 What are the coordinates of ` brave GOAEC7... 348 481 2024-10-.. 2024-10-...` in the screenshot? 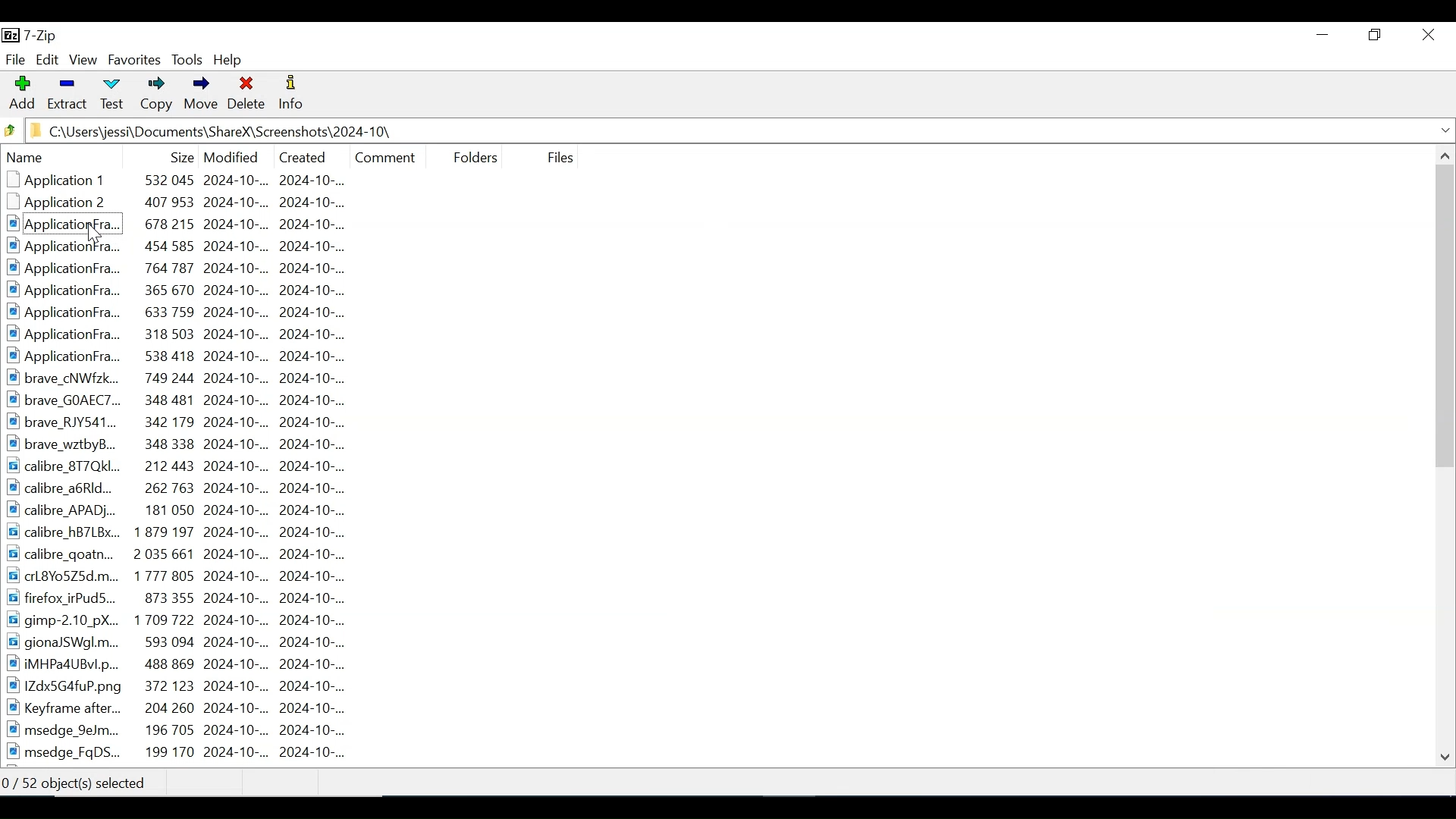 It's located at (187, 399).